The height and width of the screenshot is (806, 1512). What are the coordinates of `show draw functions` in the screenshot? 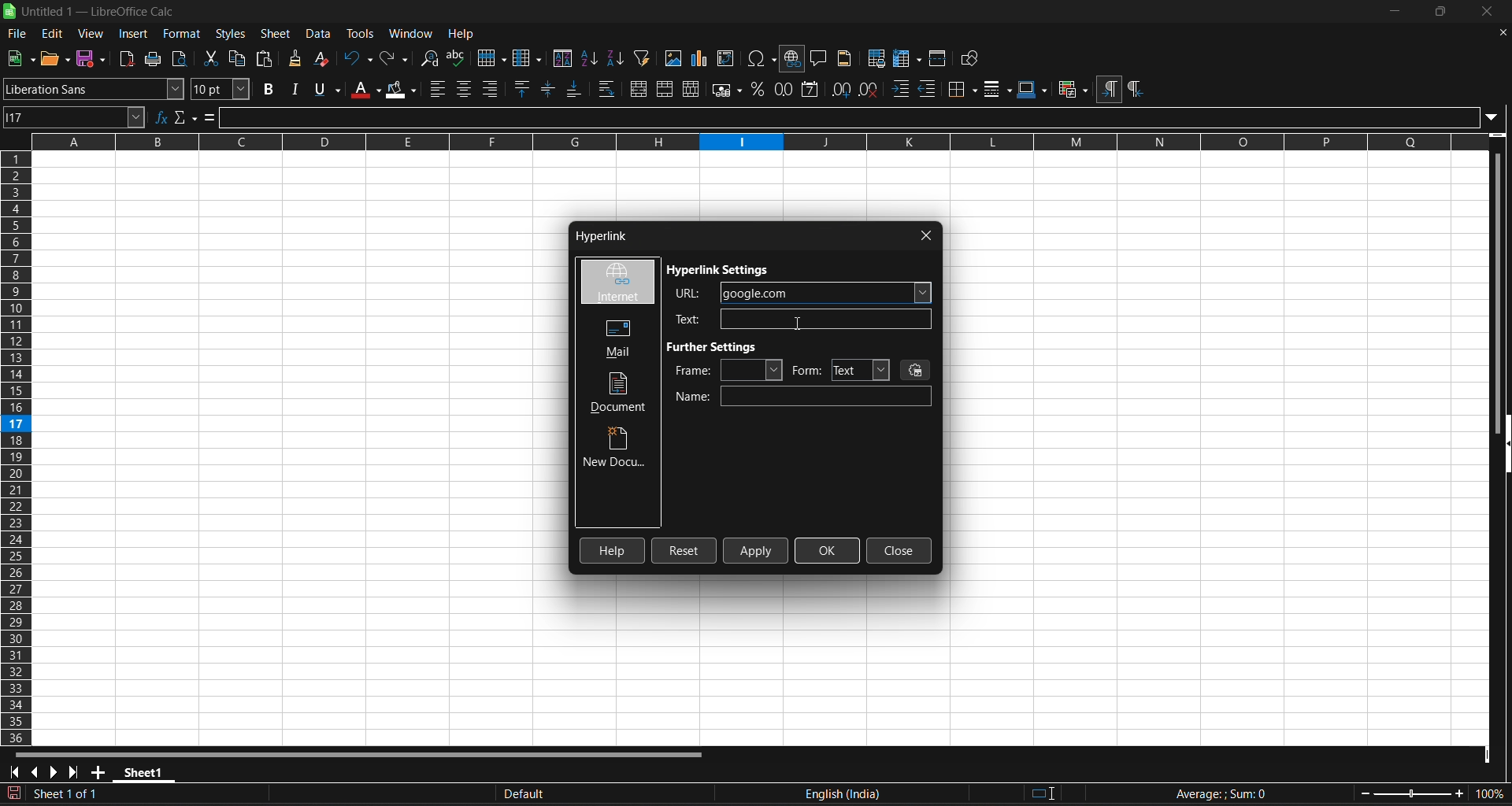 It's located at (973, 58).